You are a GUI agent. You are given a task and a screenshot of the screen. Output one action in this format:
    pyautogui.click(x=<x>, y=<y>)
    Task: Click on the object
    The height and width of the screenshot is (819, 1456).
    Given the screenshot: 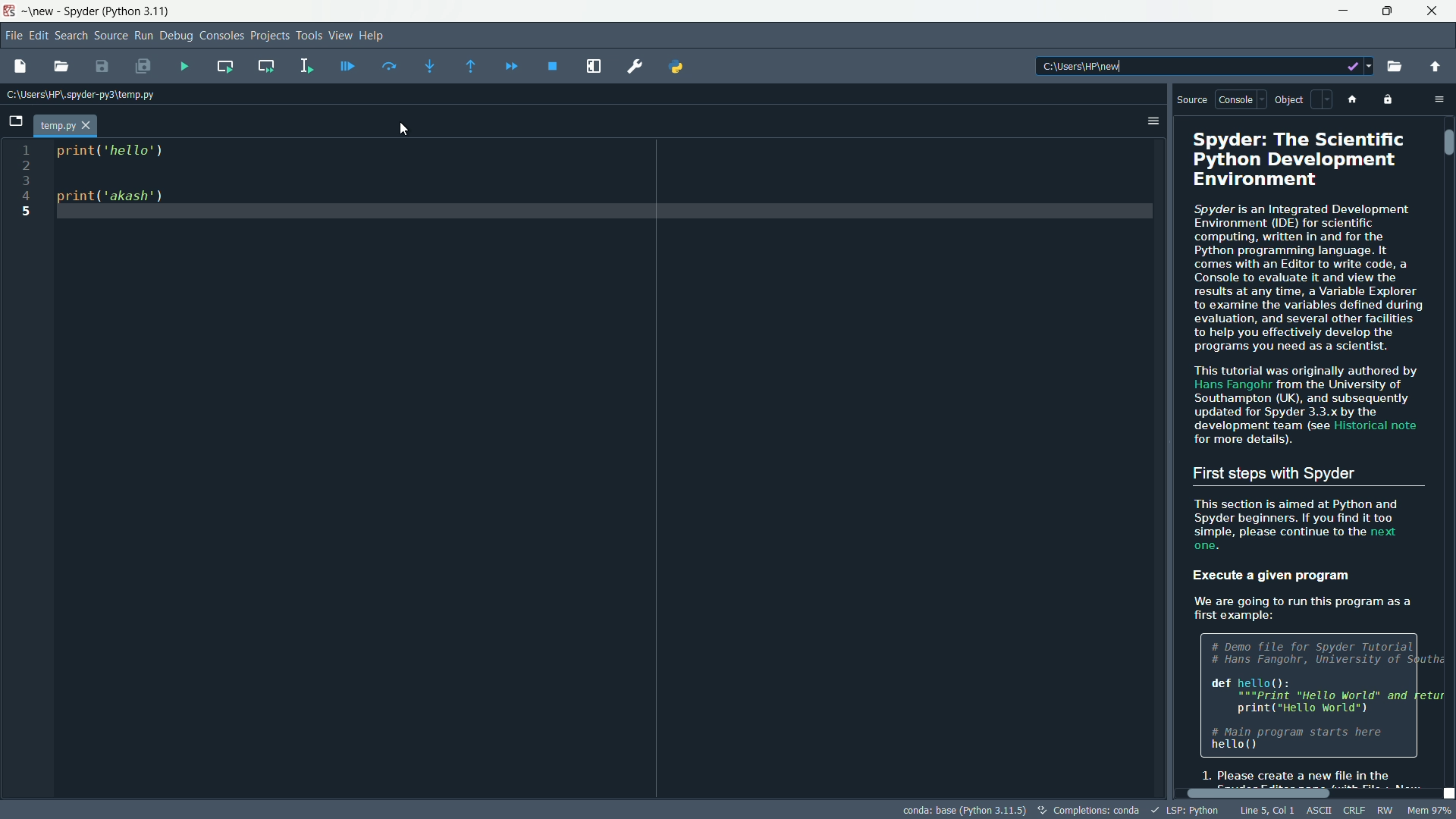 What is the action you would take?
    pyautogui.click(x=1303, y=99)
    